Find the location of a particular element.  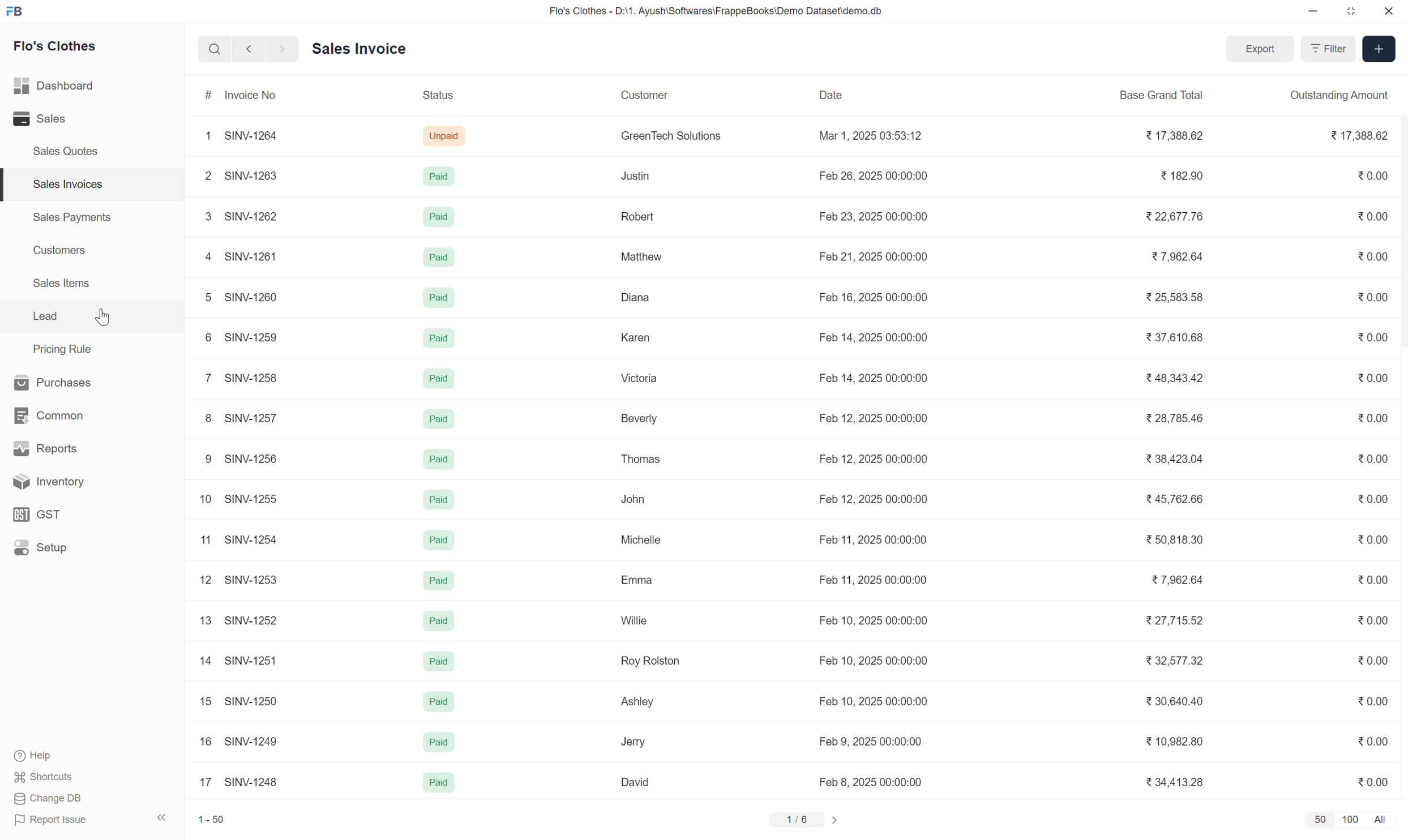

SINV-1254 is located at coordinates (252, 540).